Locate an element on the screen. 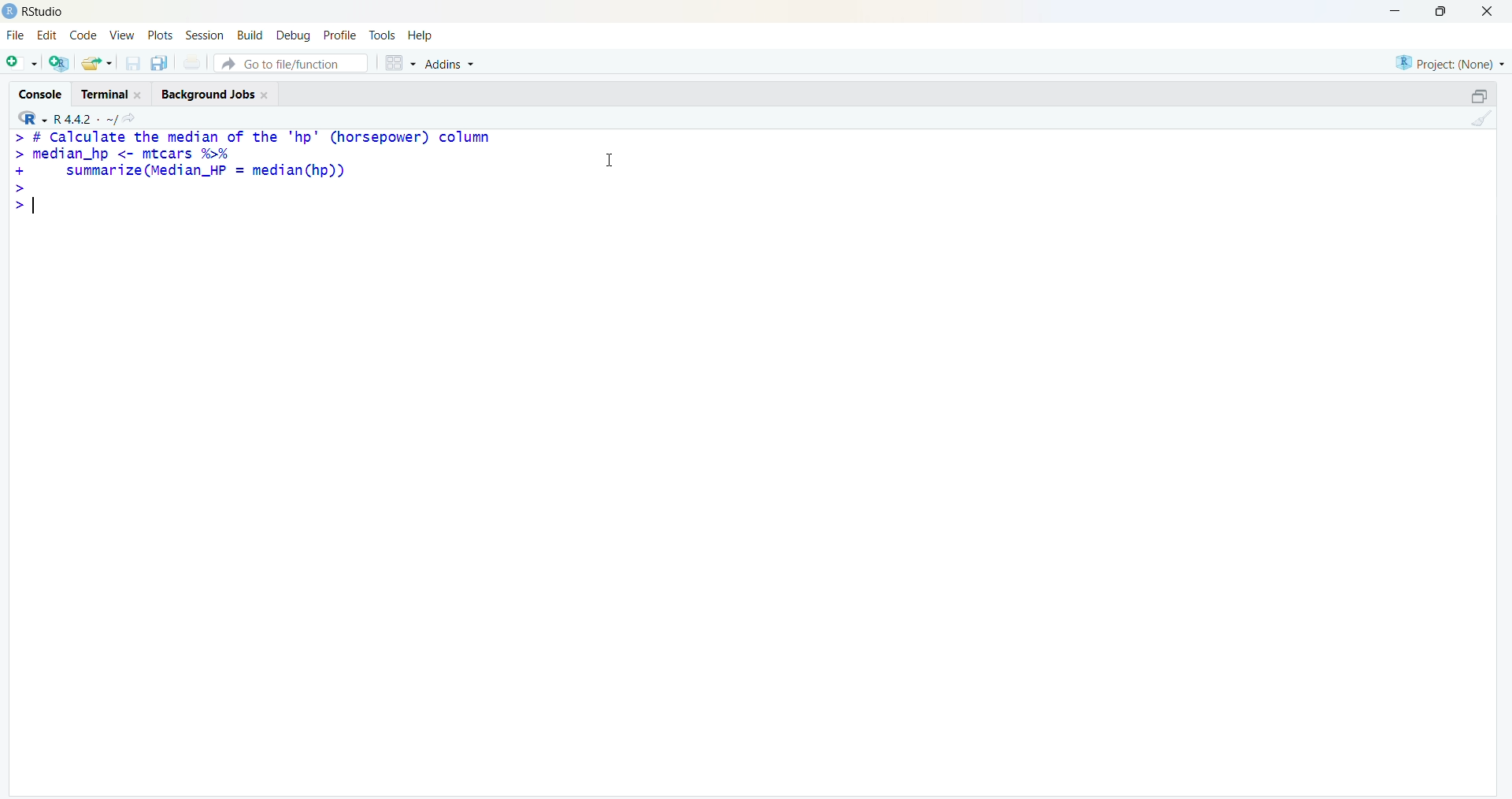  > # Calculate the median of the "hp" (horsepower) column
> median_hp <- mtcars %%

+ summarize (Median_HP = median(hp))

> is located at coordinates (254, 162).